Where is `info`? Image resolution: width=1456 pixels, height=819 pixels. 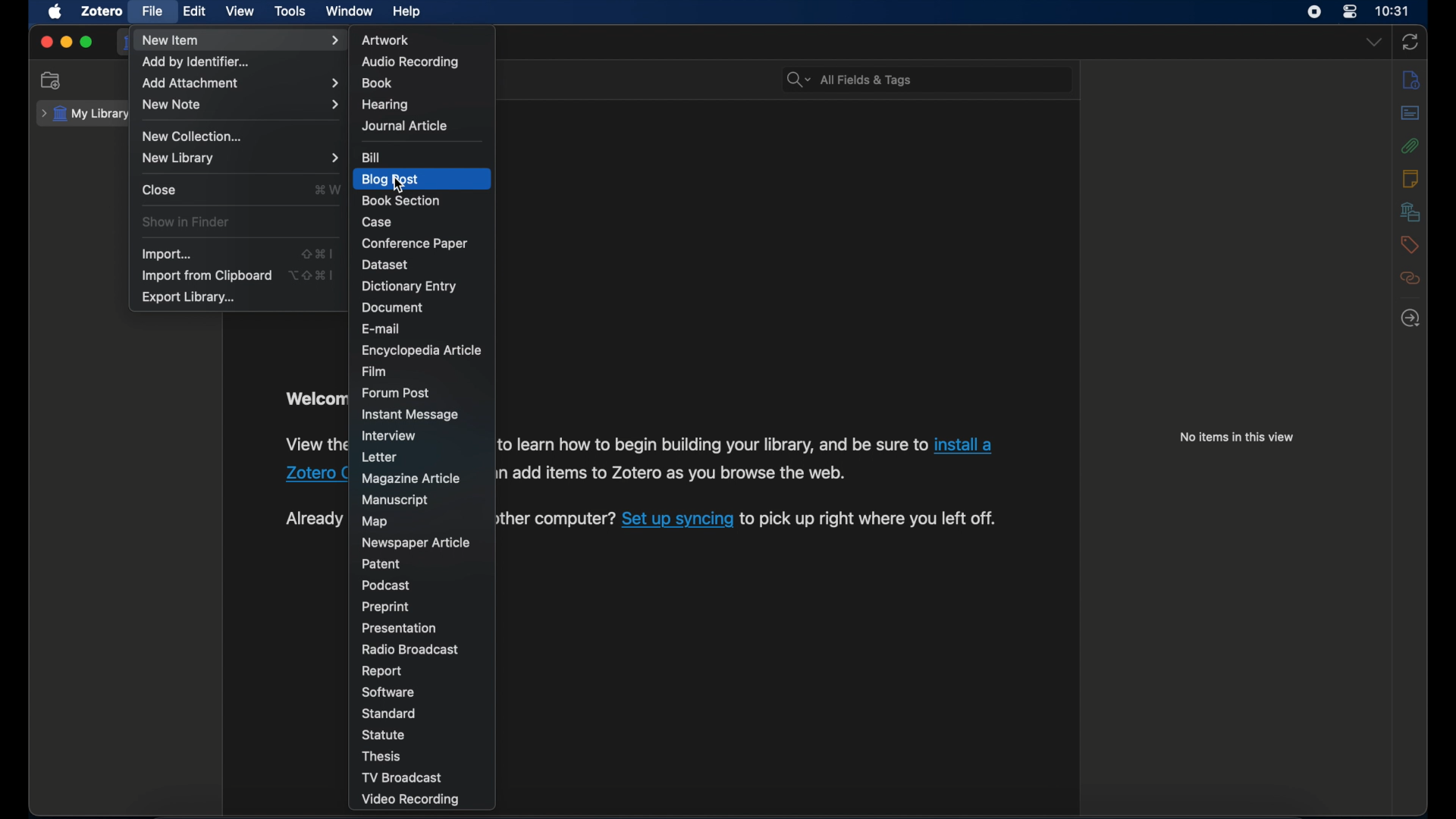
info is located at coordinates (1412, 79).